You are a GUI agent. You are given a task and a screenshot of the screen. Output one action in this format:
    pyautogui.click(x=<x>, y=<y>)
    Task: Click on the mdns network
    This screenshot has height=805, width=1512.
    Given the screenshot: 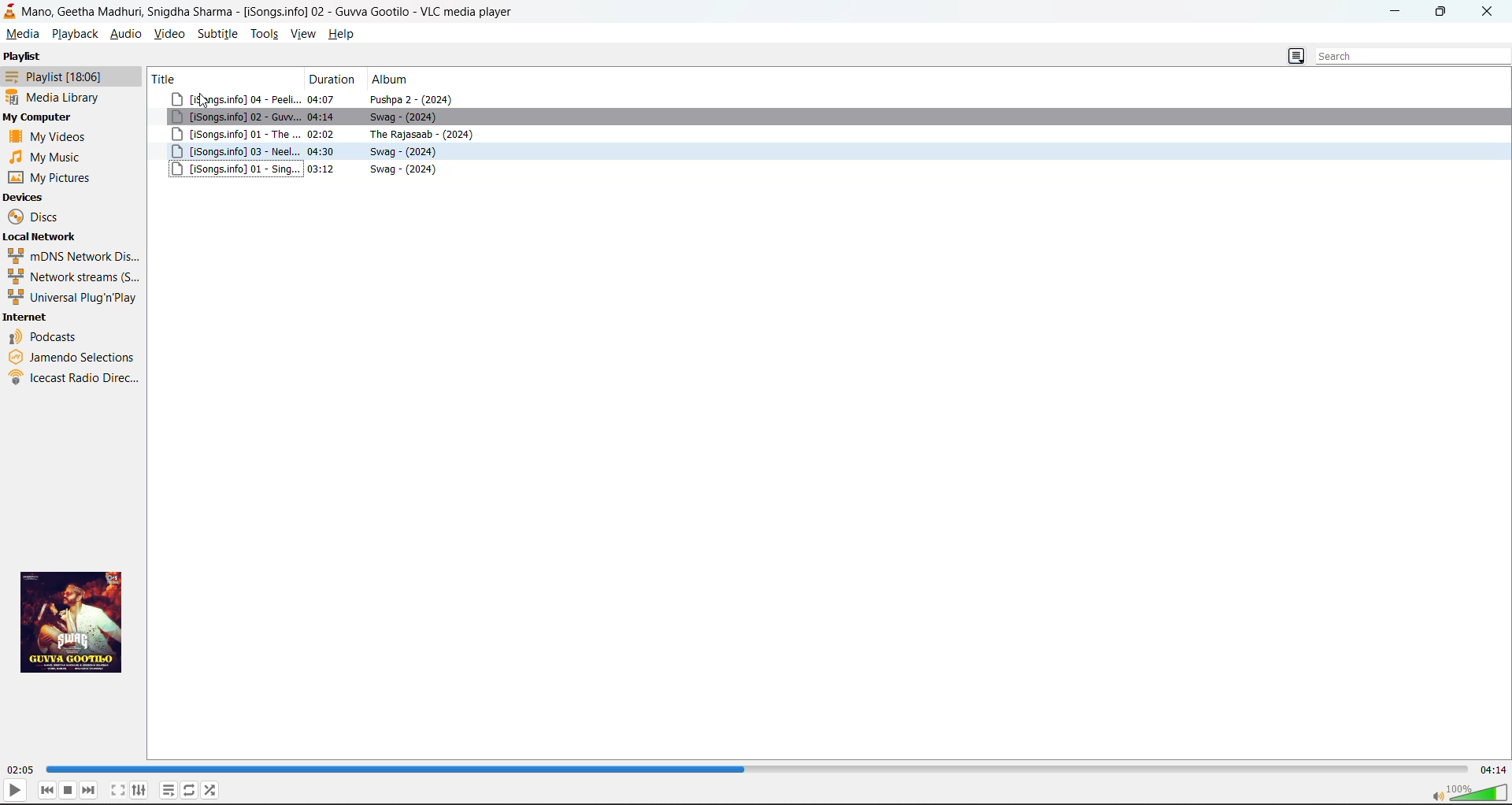 What is the action you would take?
    pyautogui.click(x=72, y=255)
    